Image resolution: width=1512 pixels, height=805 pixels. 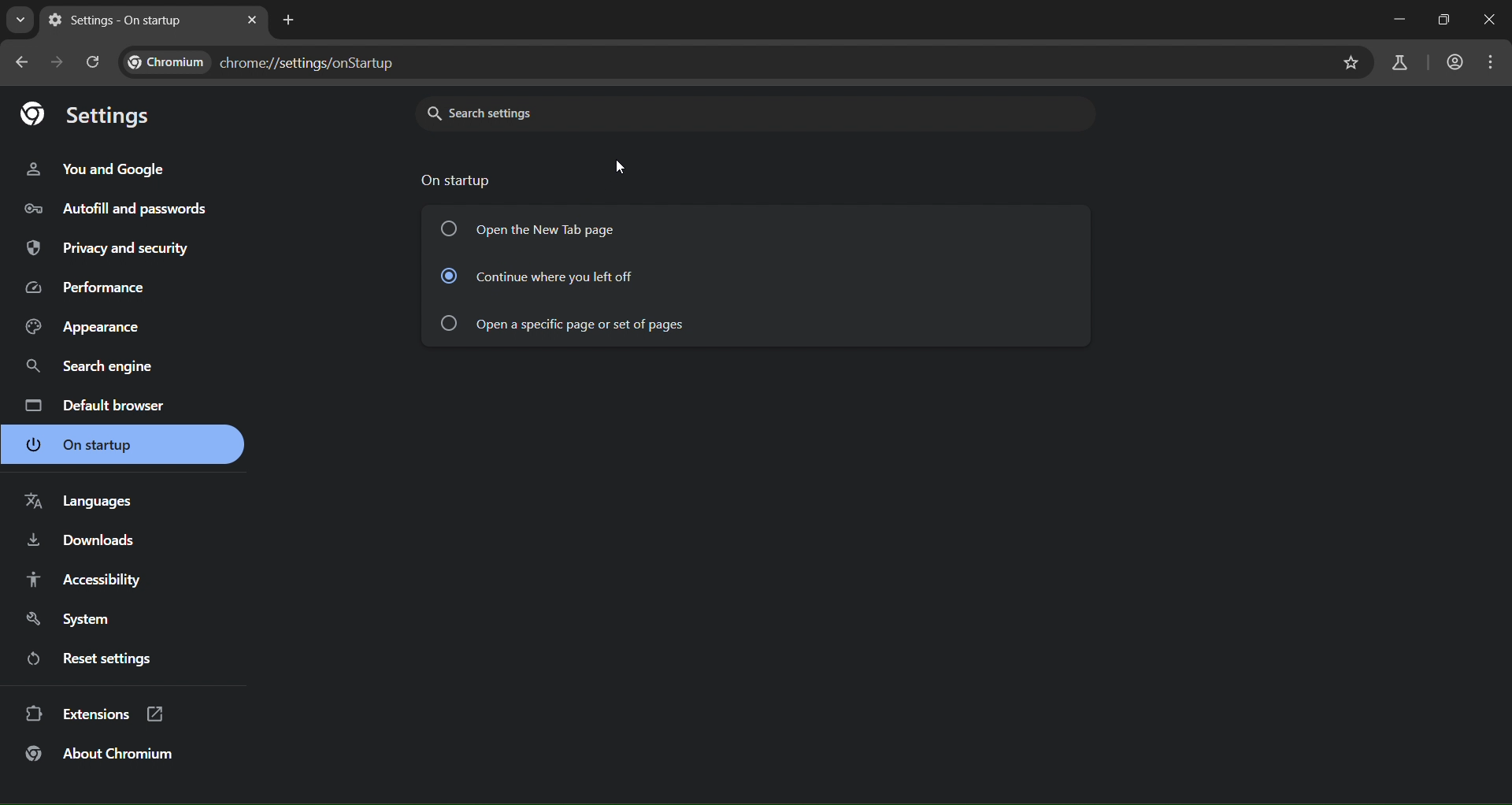 I want to click on accessibility, so click(x=84, y=582).